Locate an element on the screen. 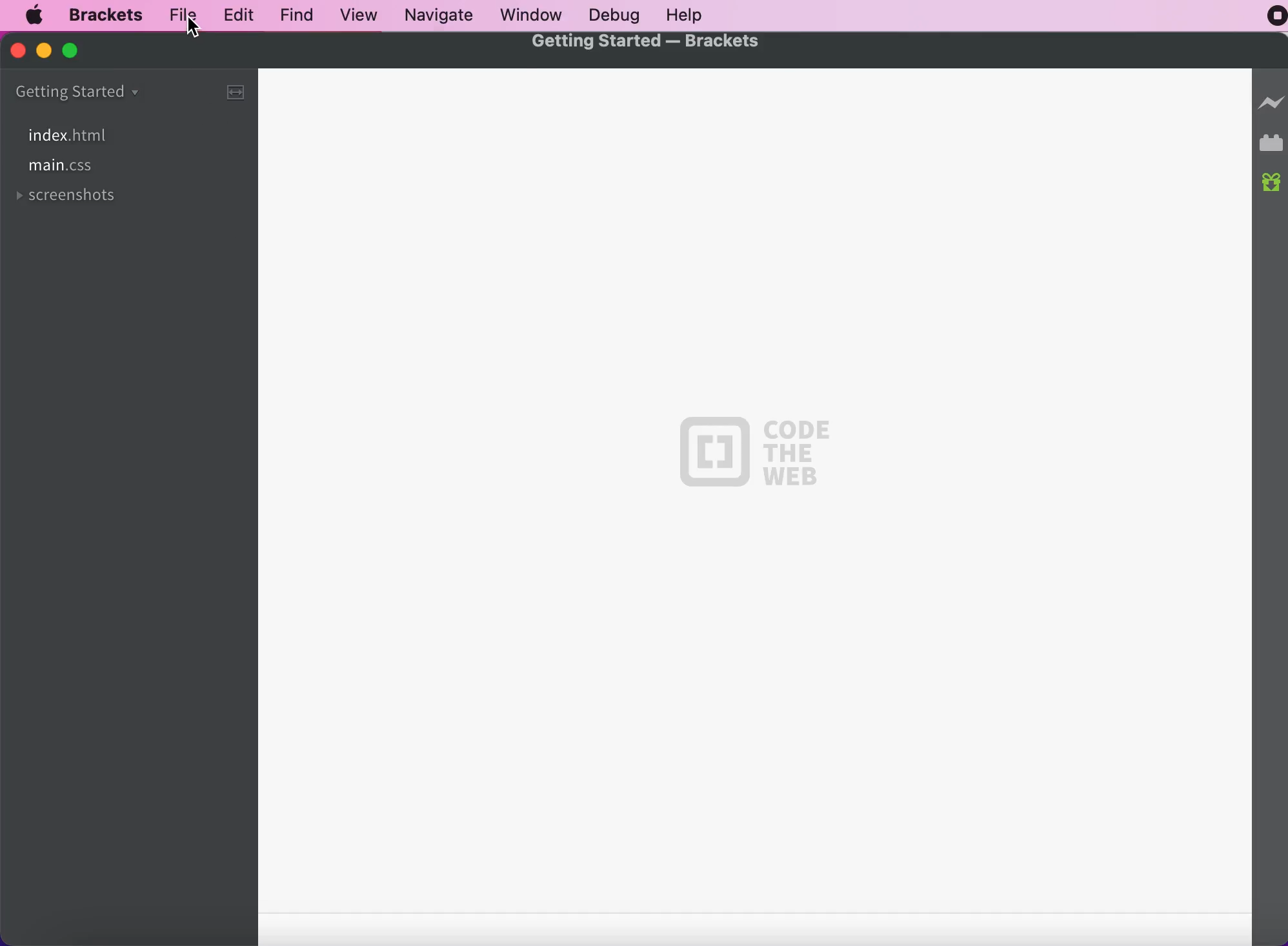  navigate is located at coordinates (445, 16).